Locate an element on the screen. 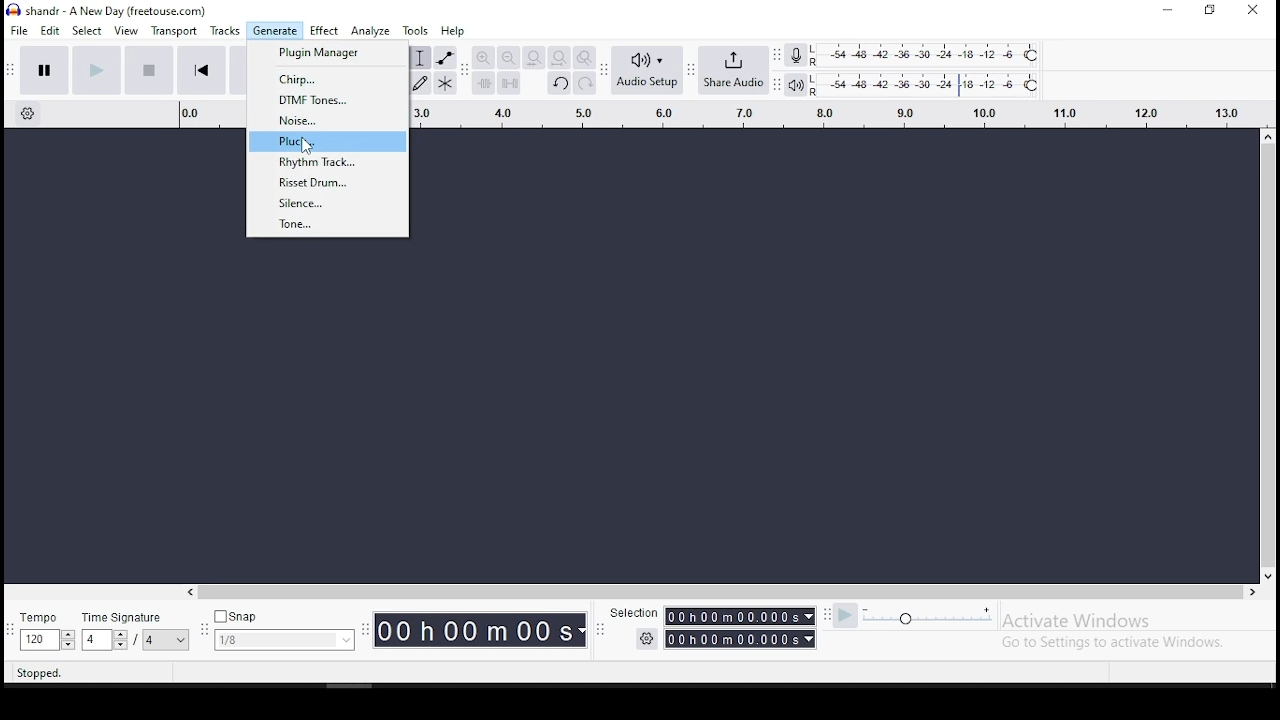 This screenshot has height=720, width=1280. plugin manager is located at coordinates (329, 54).